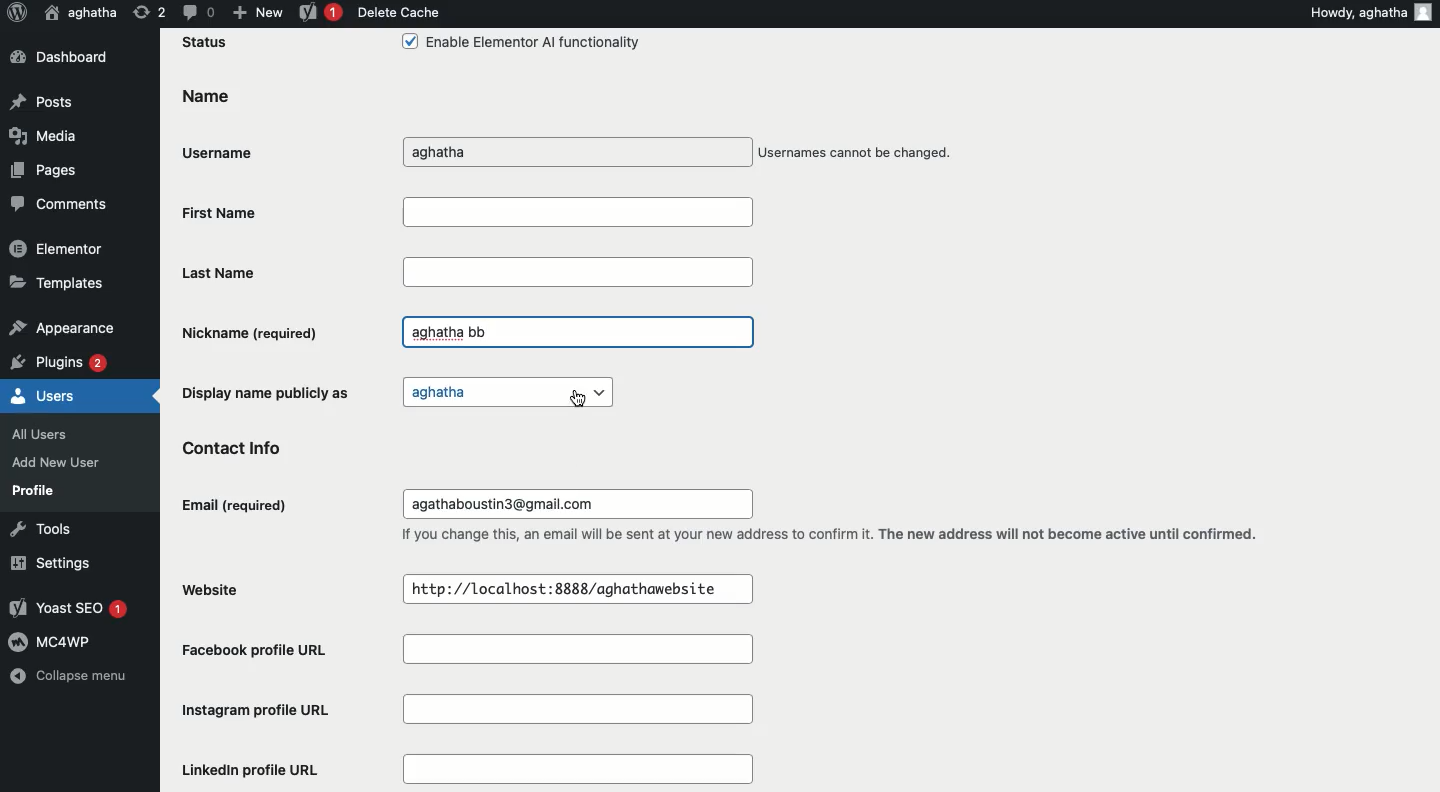 The height and width of the screenshot is (792, 1440). Describe the element at coordinates (578, 402) in the screenshot. I see `Cursor` at that location.